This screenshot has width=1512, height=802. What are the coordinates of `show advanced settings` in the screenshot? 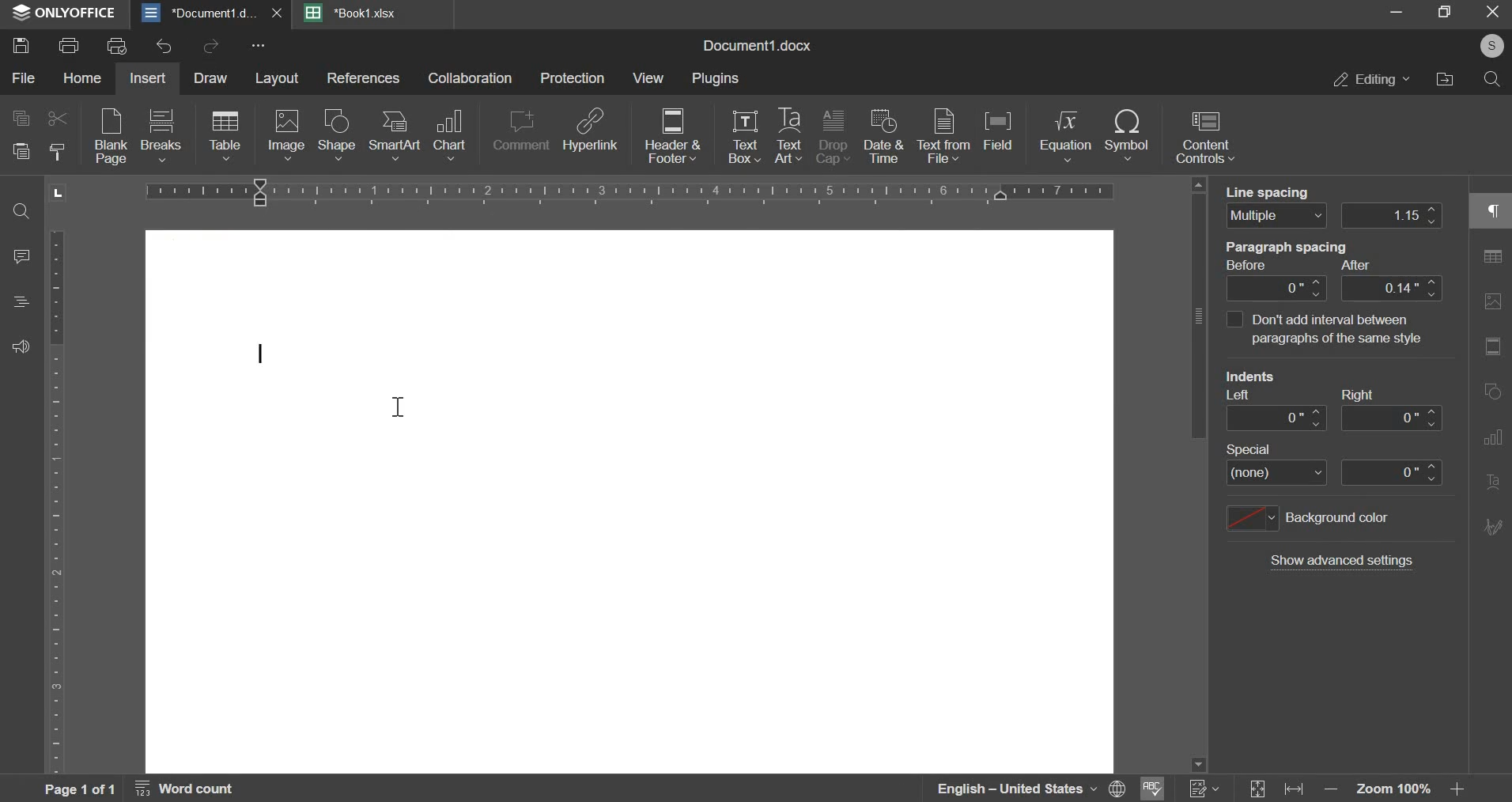 It's located at (1344, 562).